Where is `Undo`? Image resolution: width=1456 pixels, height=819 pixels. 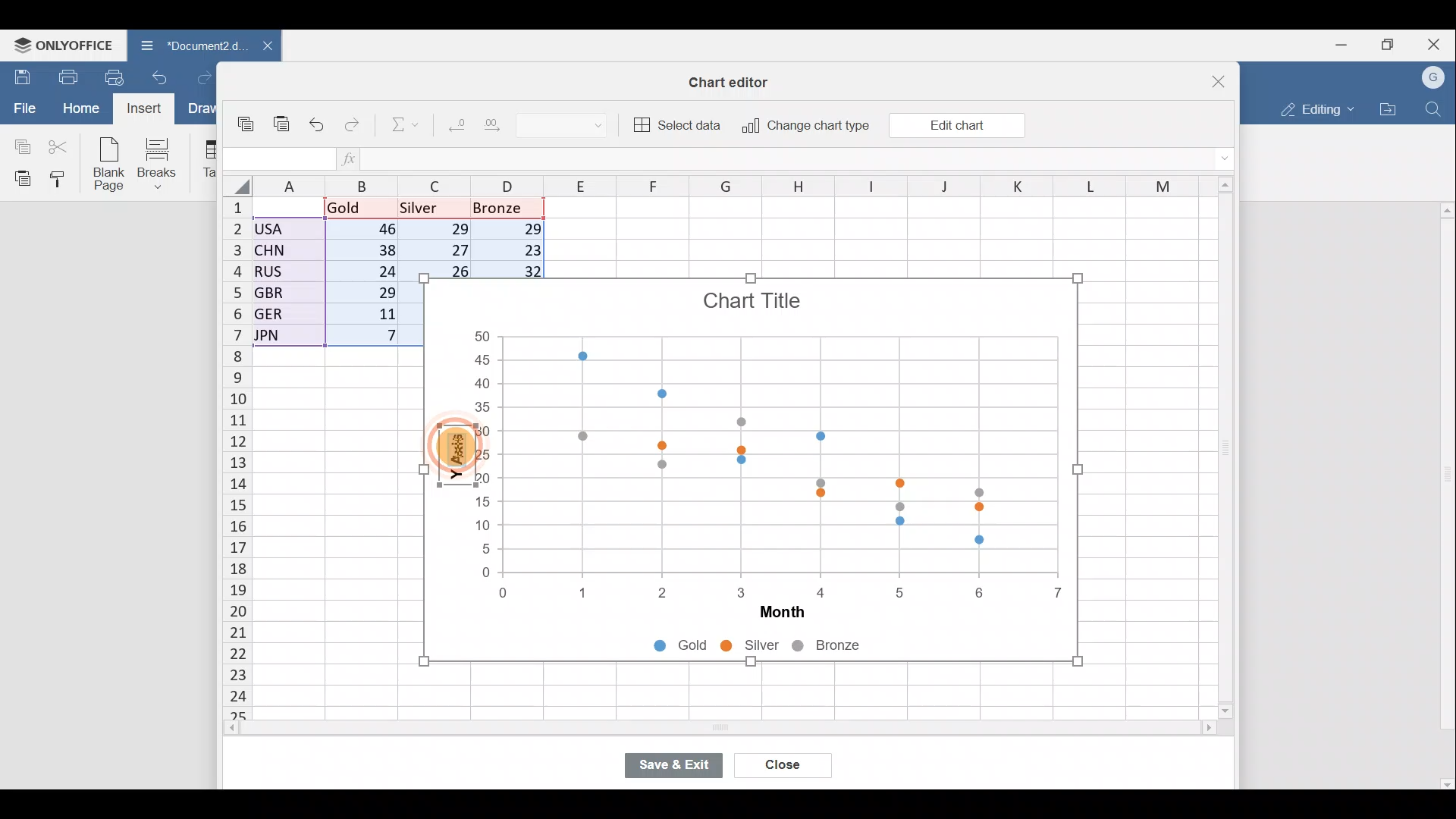
Undo is located at coordinates (164, 76).